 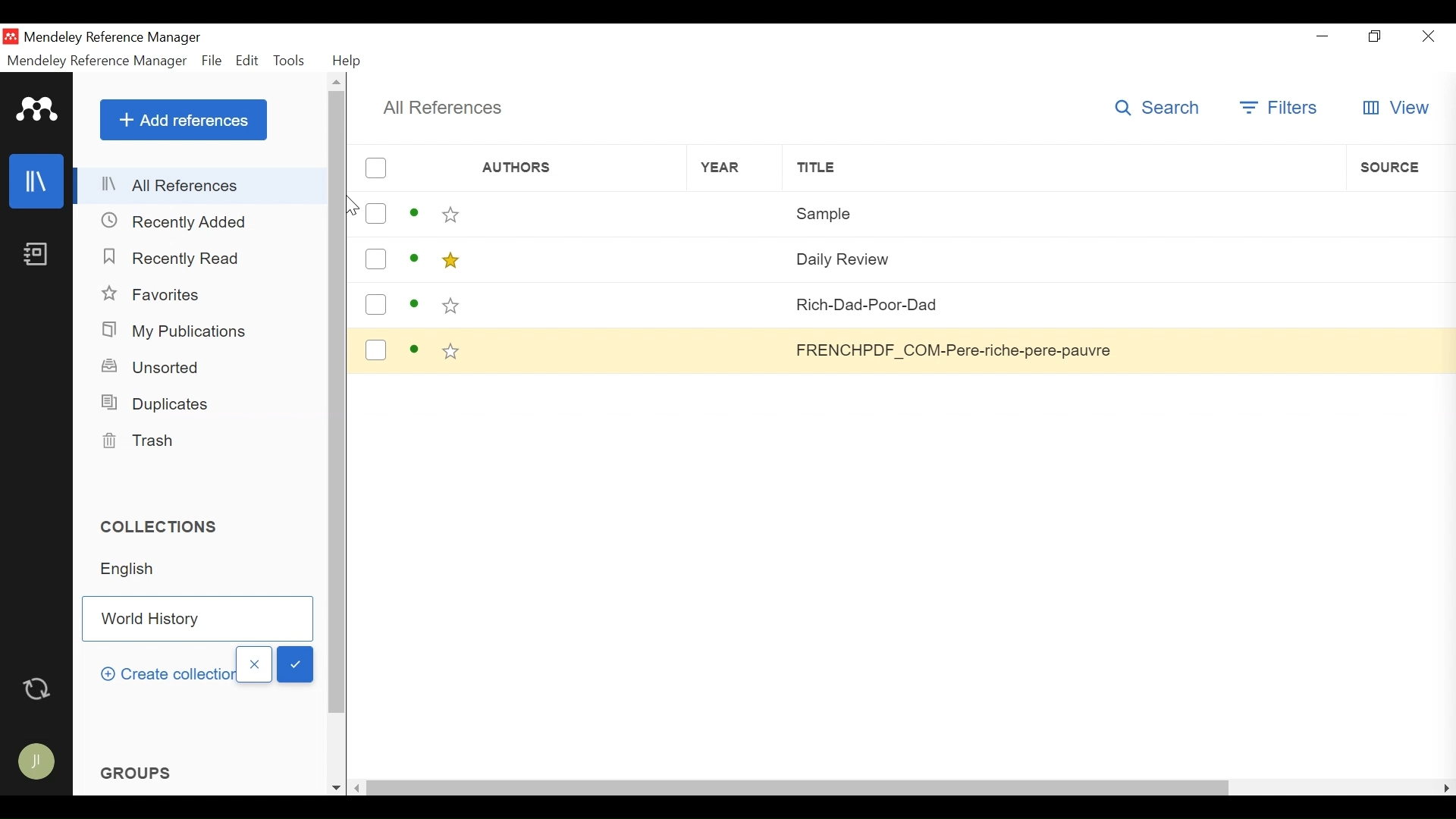 I want to click on Year, so click(x=736, y=258).